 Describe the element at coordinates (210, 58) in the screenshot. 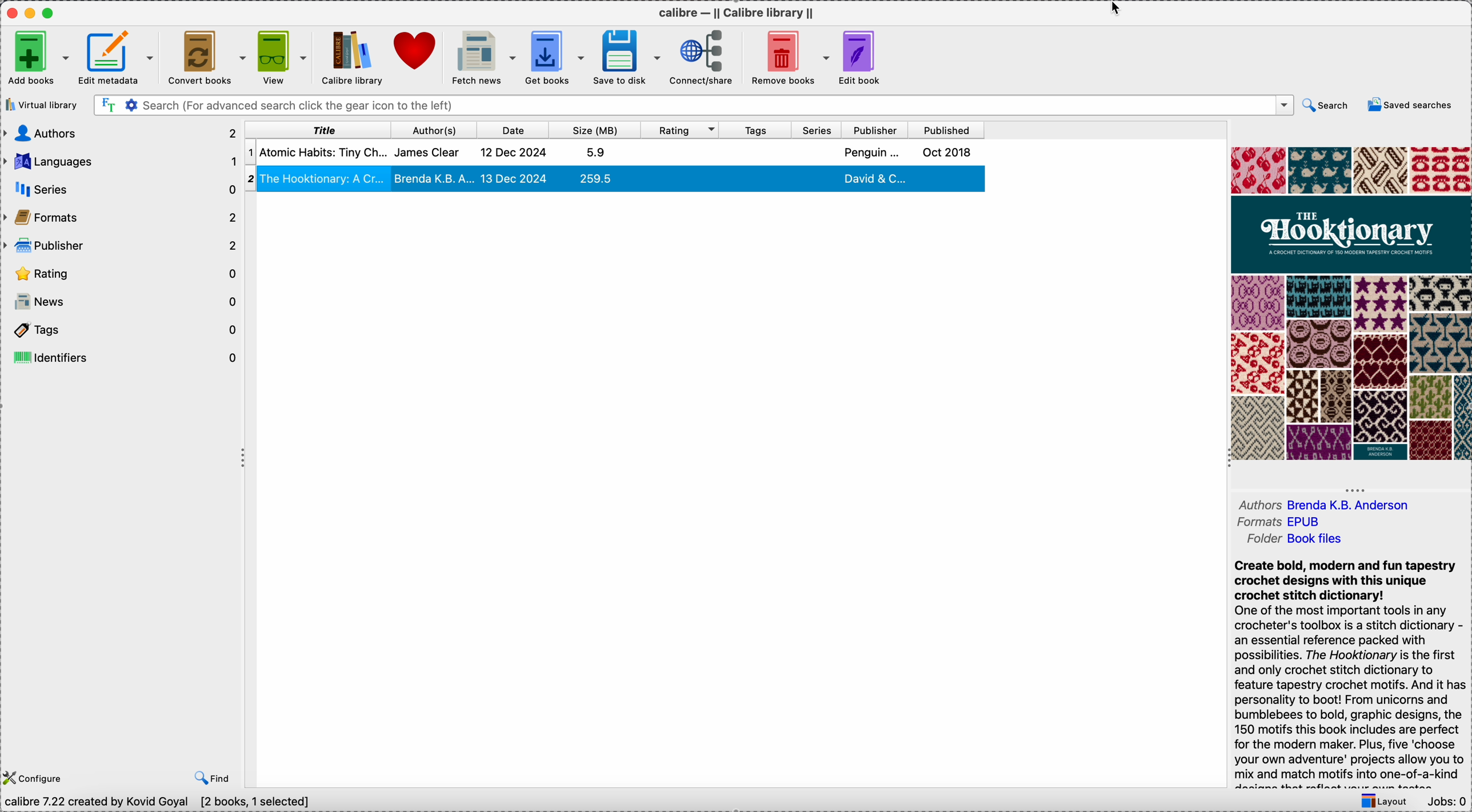

I see `convert books` at that location.